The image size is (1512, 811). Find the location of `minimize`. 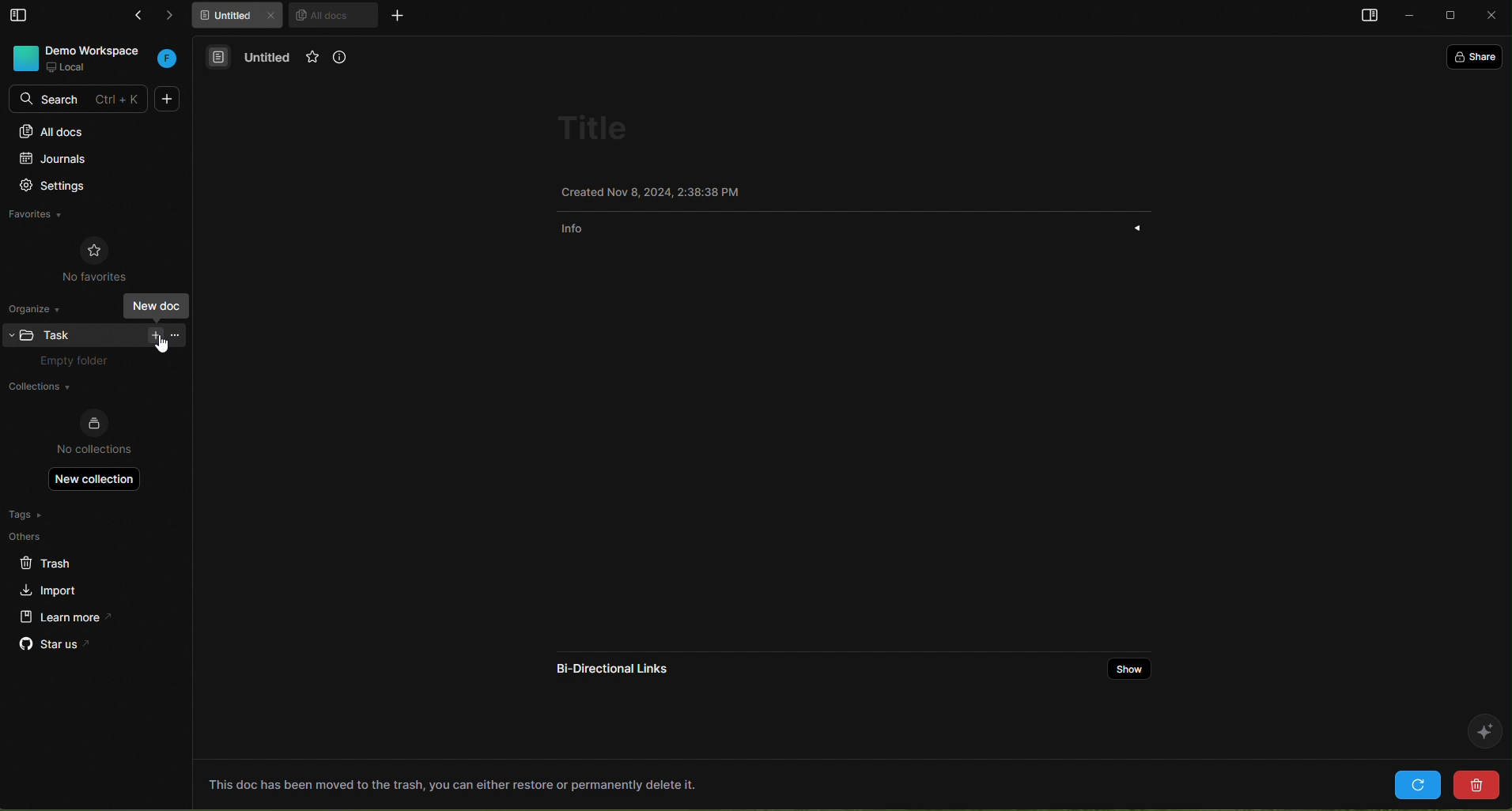

minimize is located at coordinates (1411, 17).